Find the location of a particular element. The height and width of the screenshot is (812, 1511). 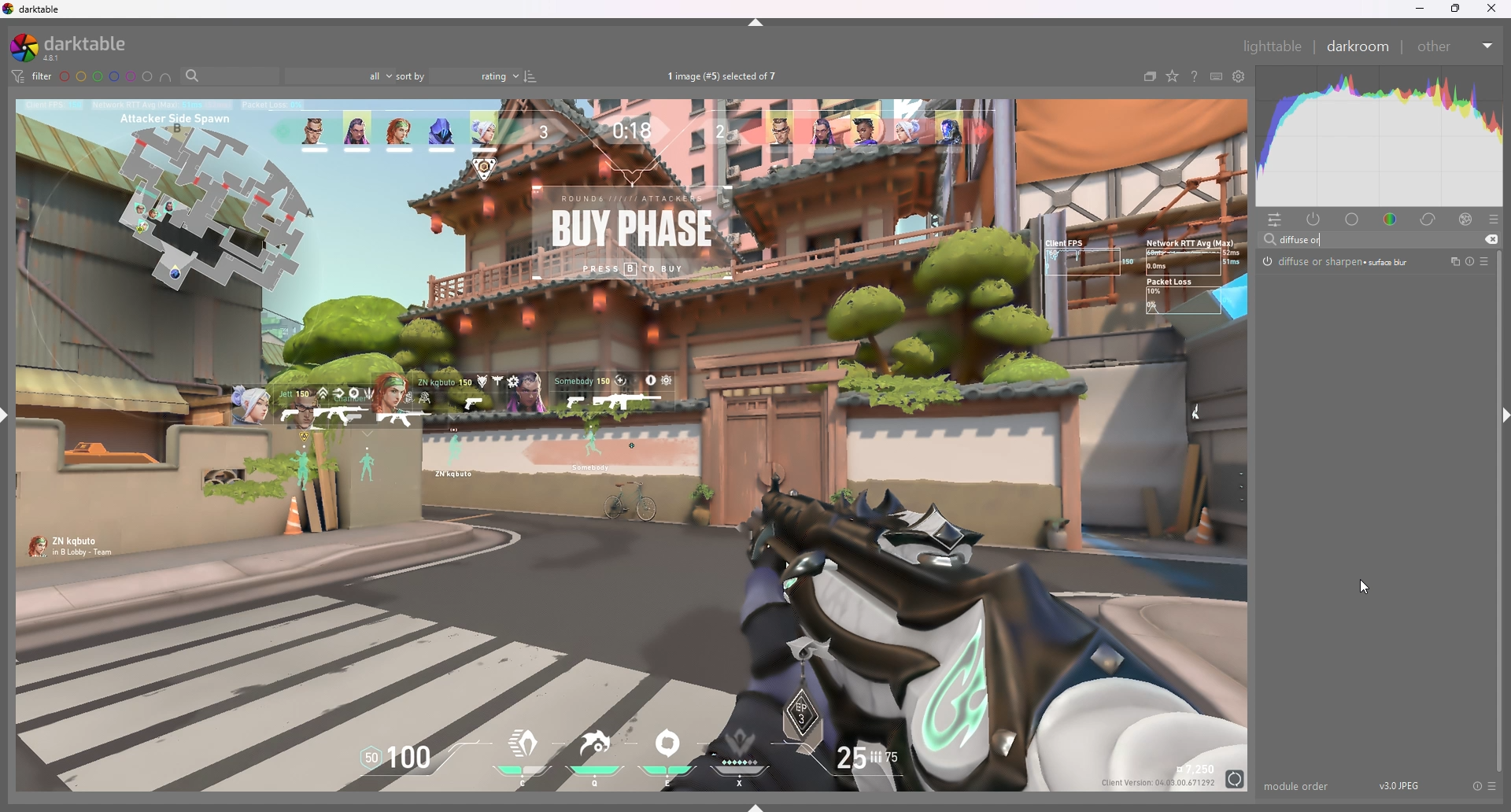

quick access panel is located at coordinates (1276, 219).